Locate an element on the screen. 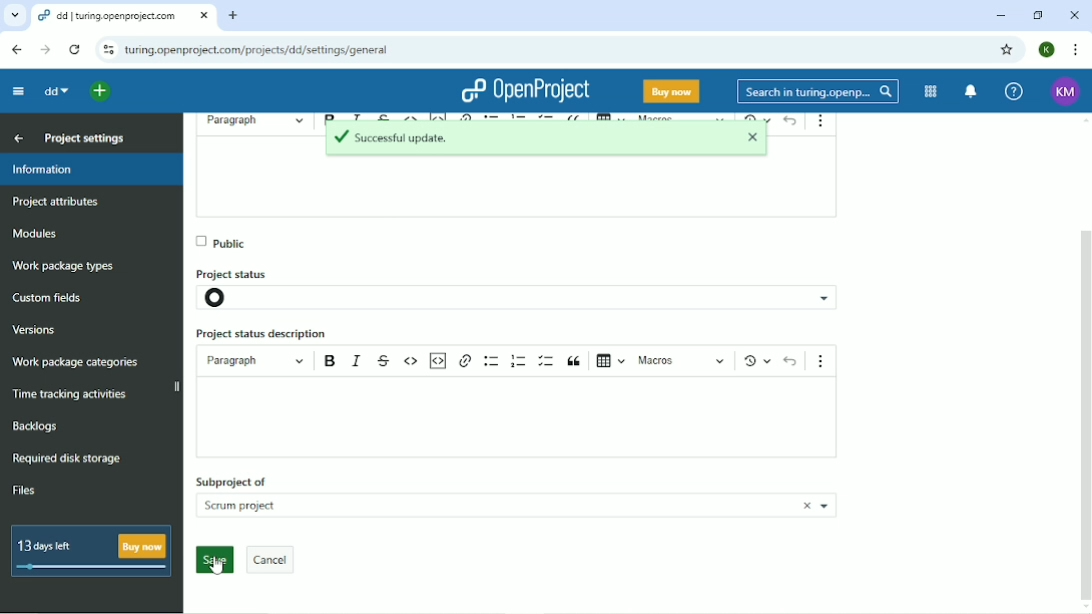 This screenshot has height=614, width=1092. KM is located at coordinates (1068, 90).